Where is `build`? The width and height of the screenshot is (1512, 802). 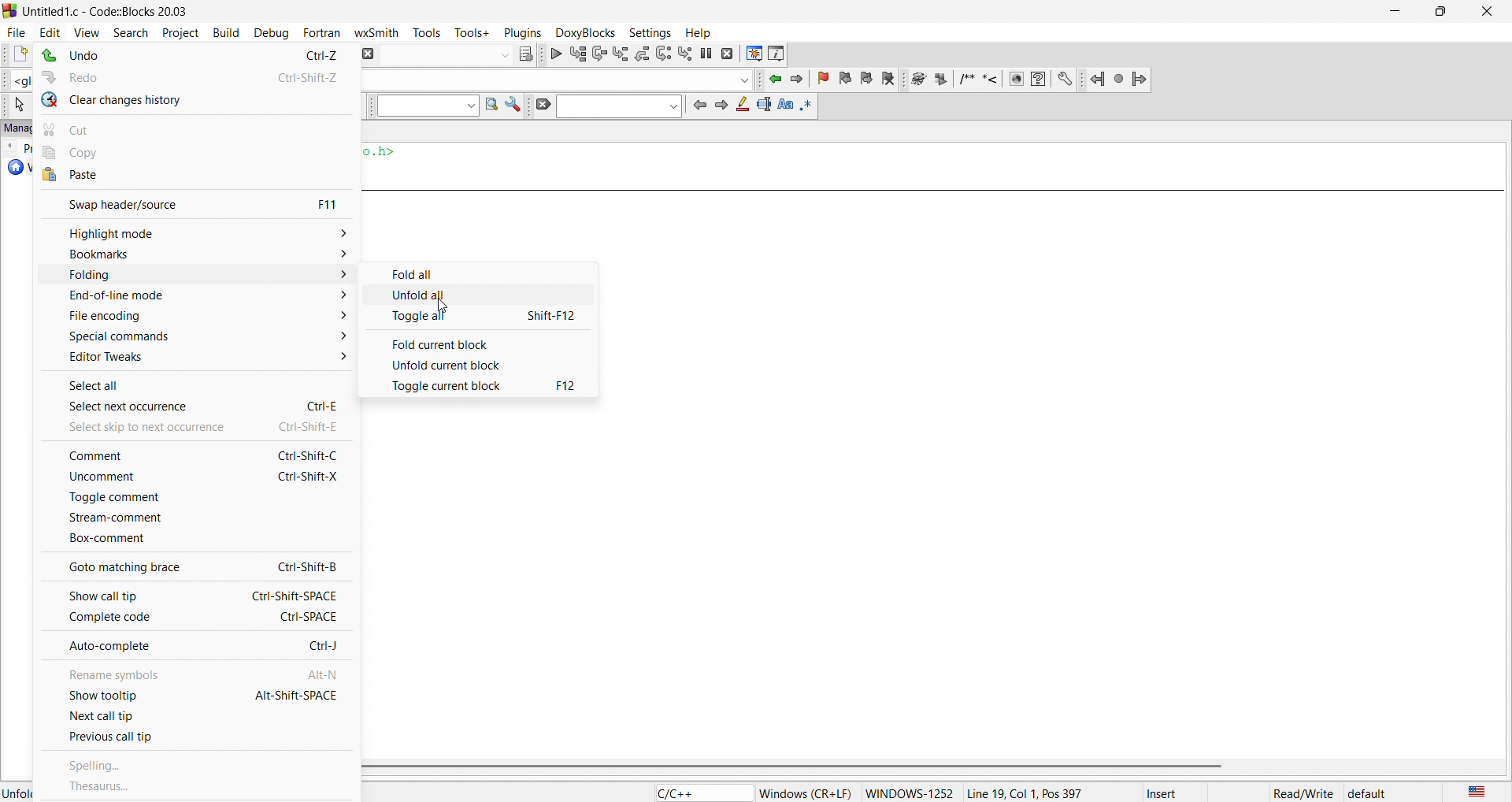
build is located at coordinates (224, 31).